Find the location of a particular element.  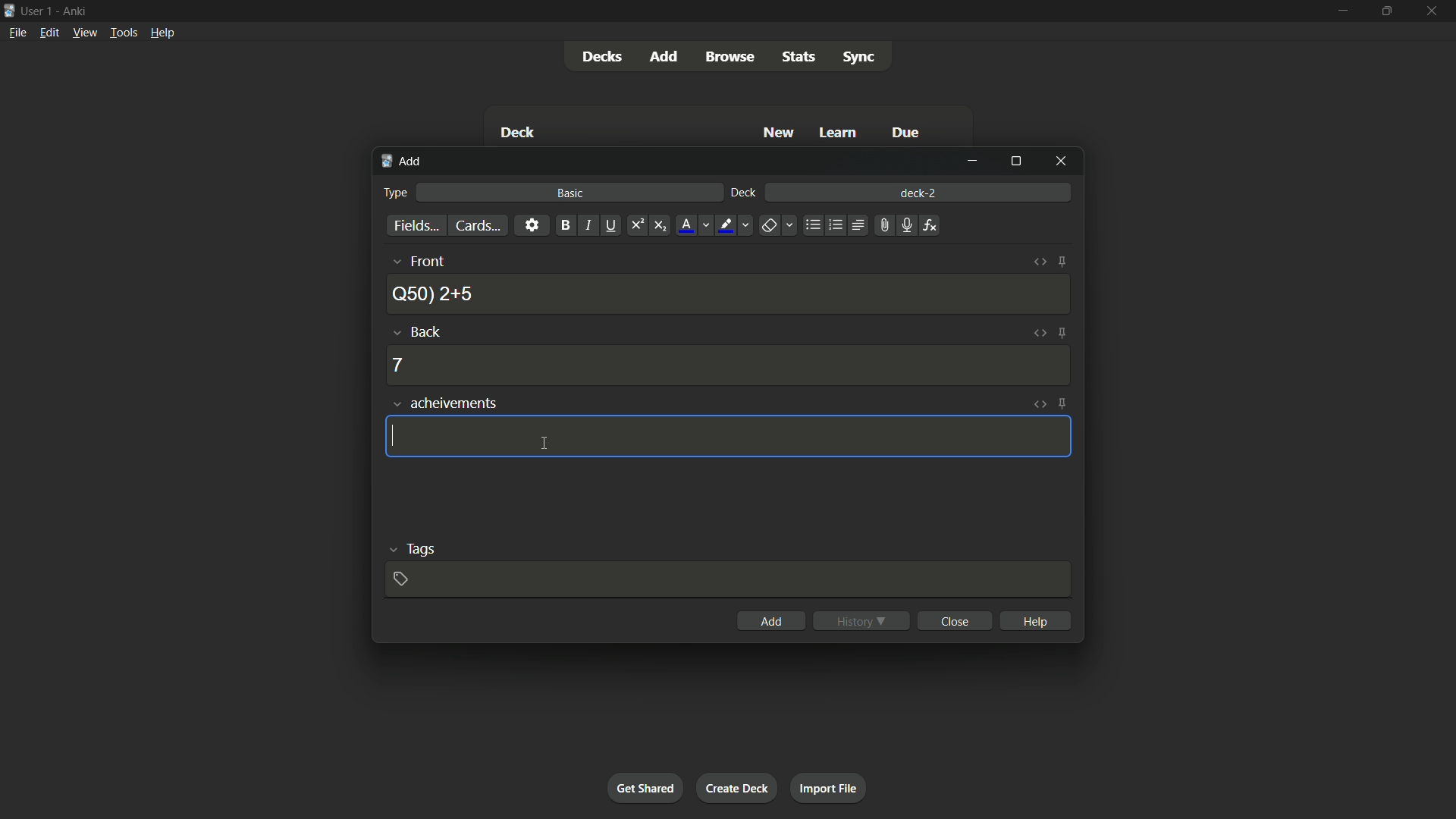

underline is located at coordinates (611, 225).